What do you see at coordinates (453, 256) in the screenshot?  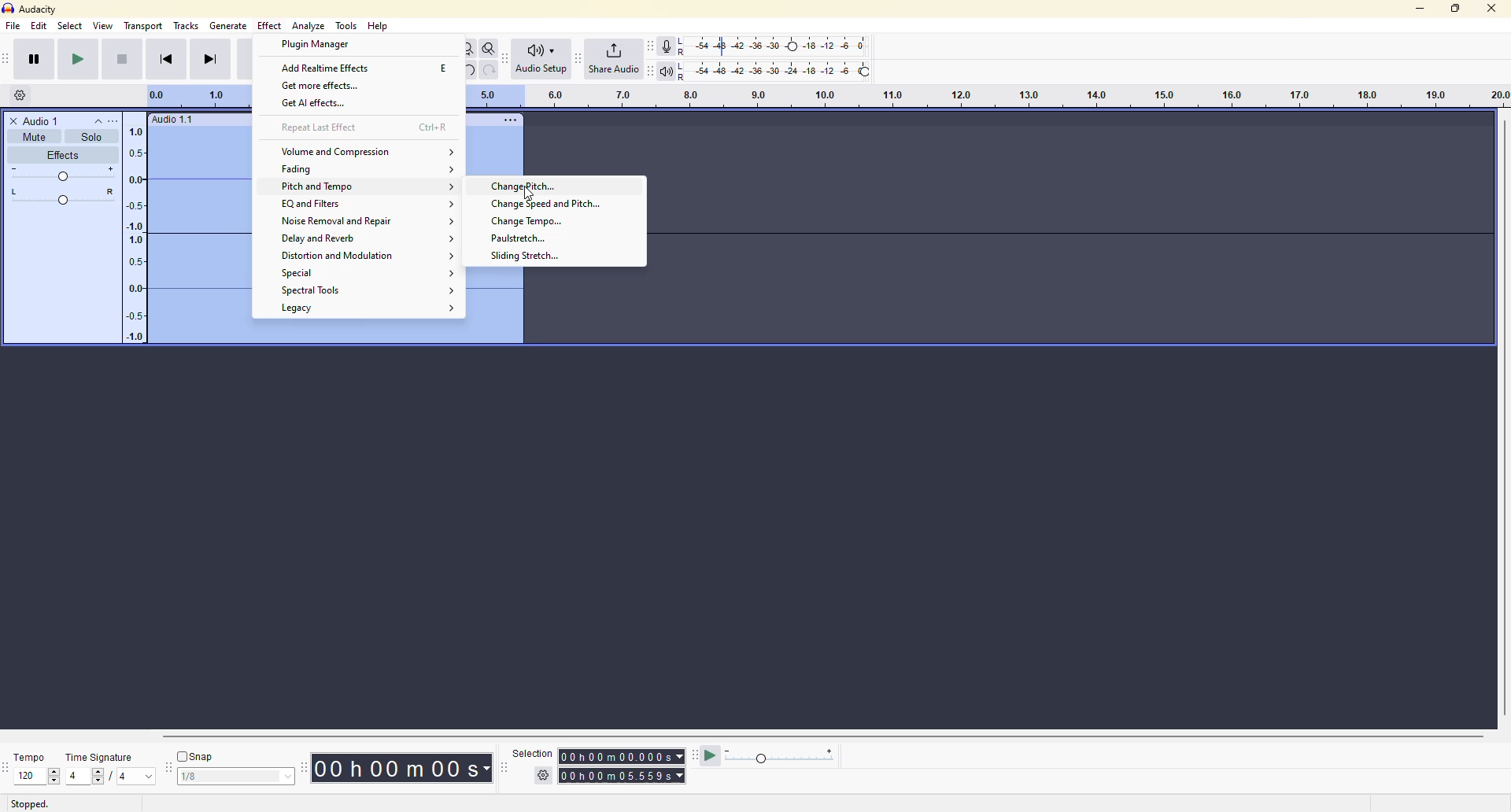 I see `expand` at bounding box center [453, 256].